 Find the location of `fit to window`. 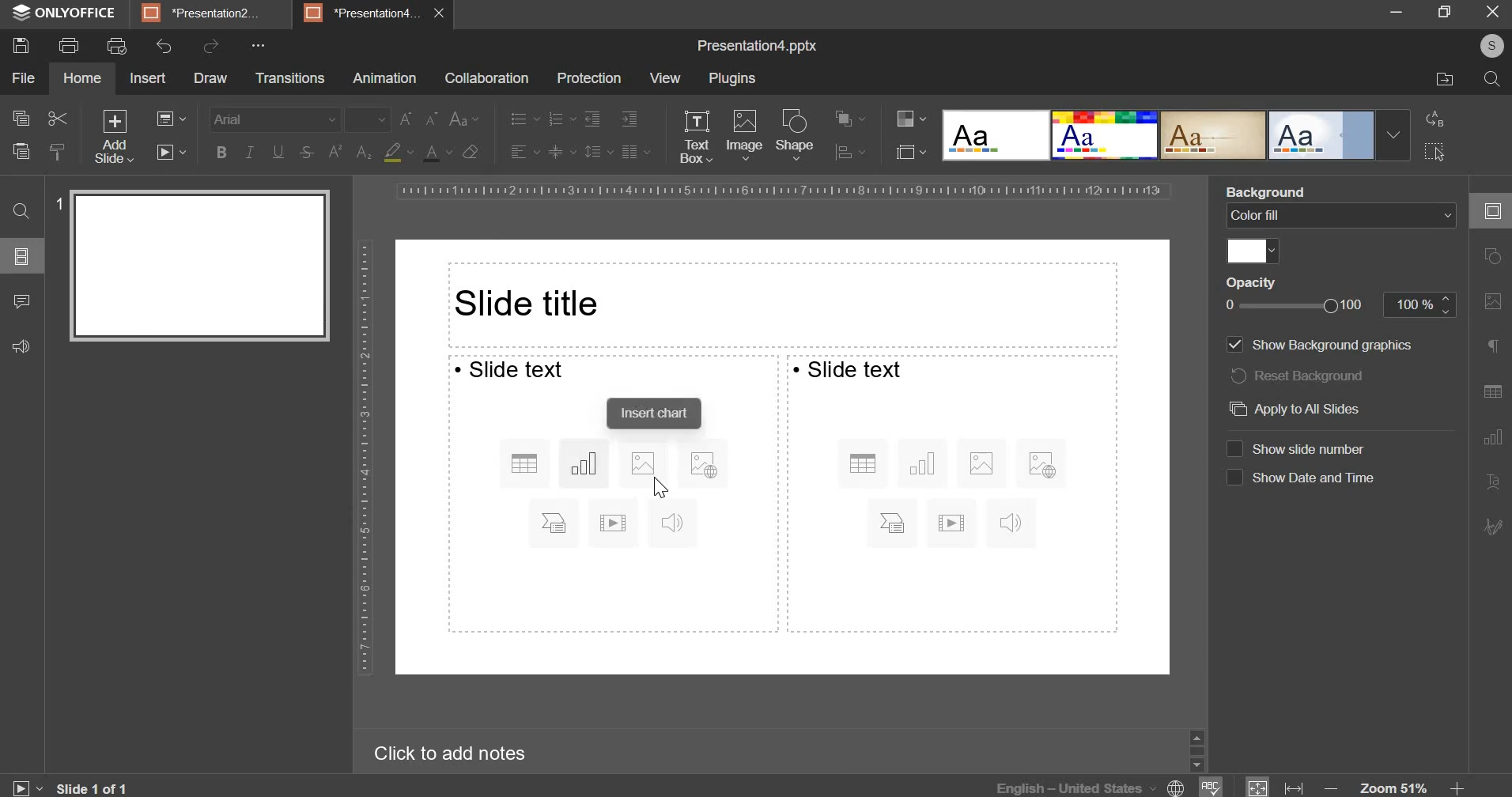

fit to window is located at coordinates (1258, 788).